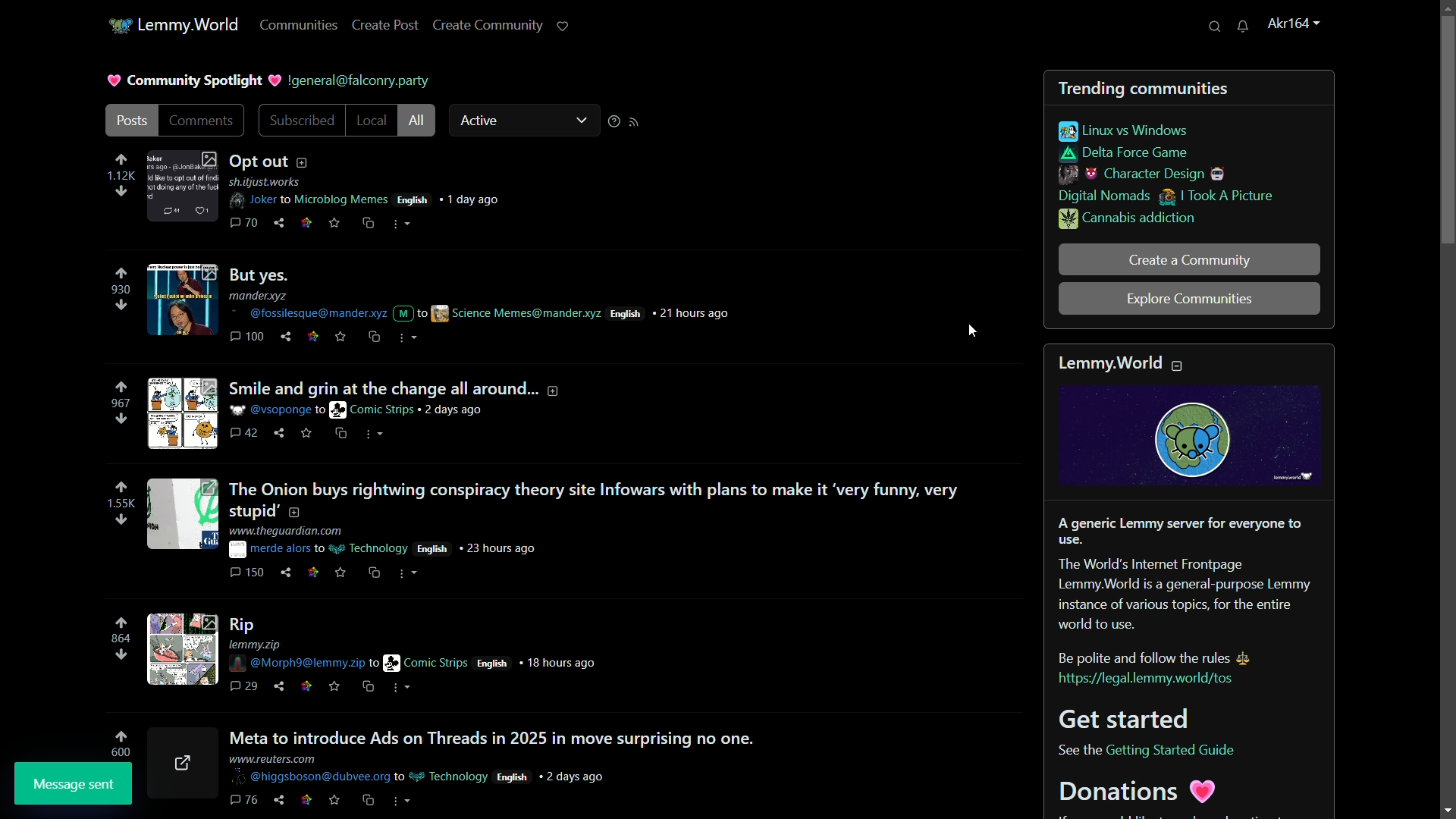 Image resolution: width=1456 pixels, height=819 pixels. What do you see at coordinates (247, 684) in the screenshot?
I see `comments` at bounding box center [247, 684].